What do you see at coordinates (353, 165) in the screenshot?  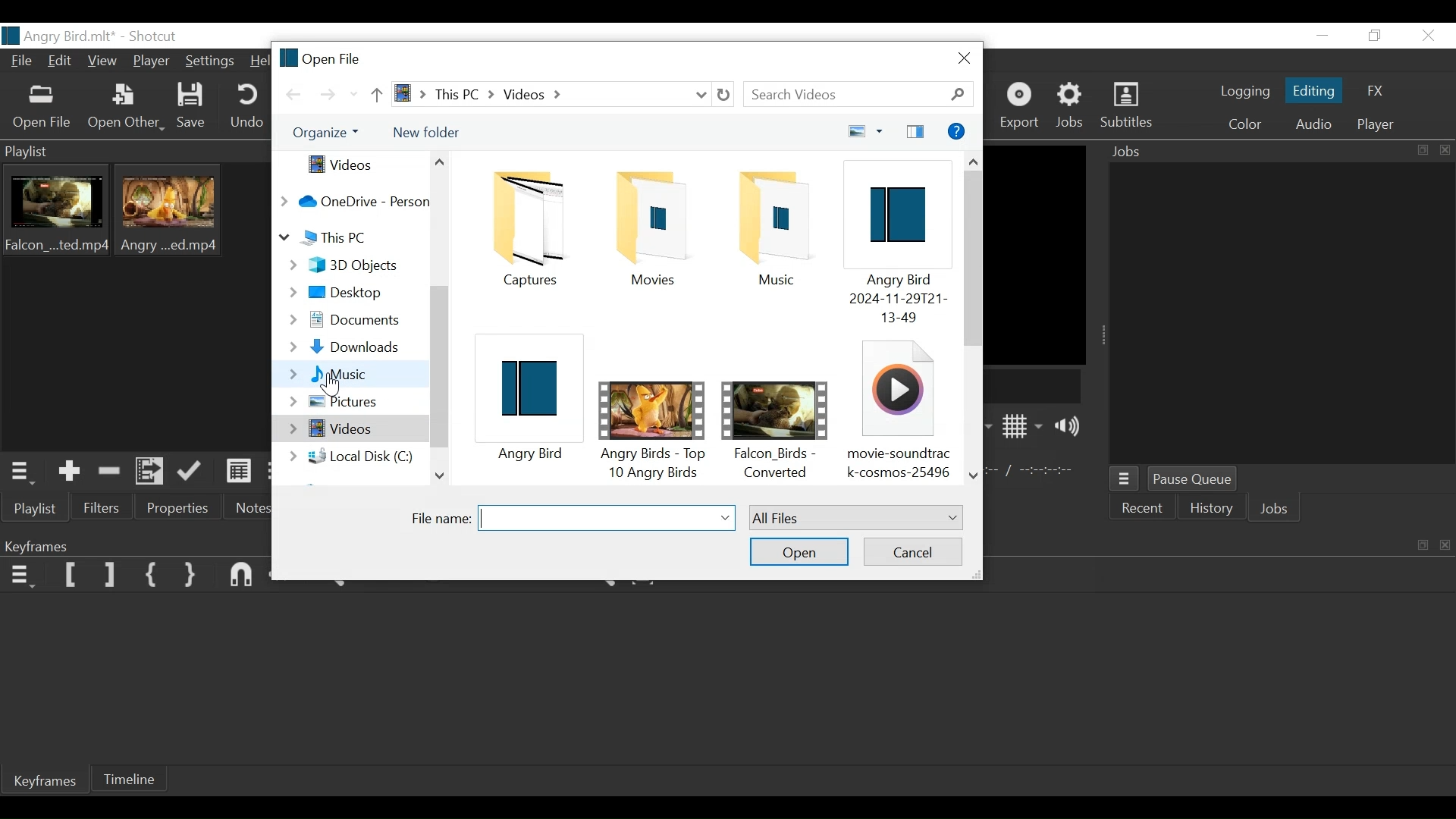 I see `Videos` at bounding box center [353, 165].